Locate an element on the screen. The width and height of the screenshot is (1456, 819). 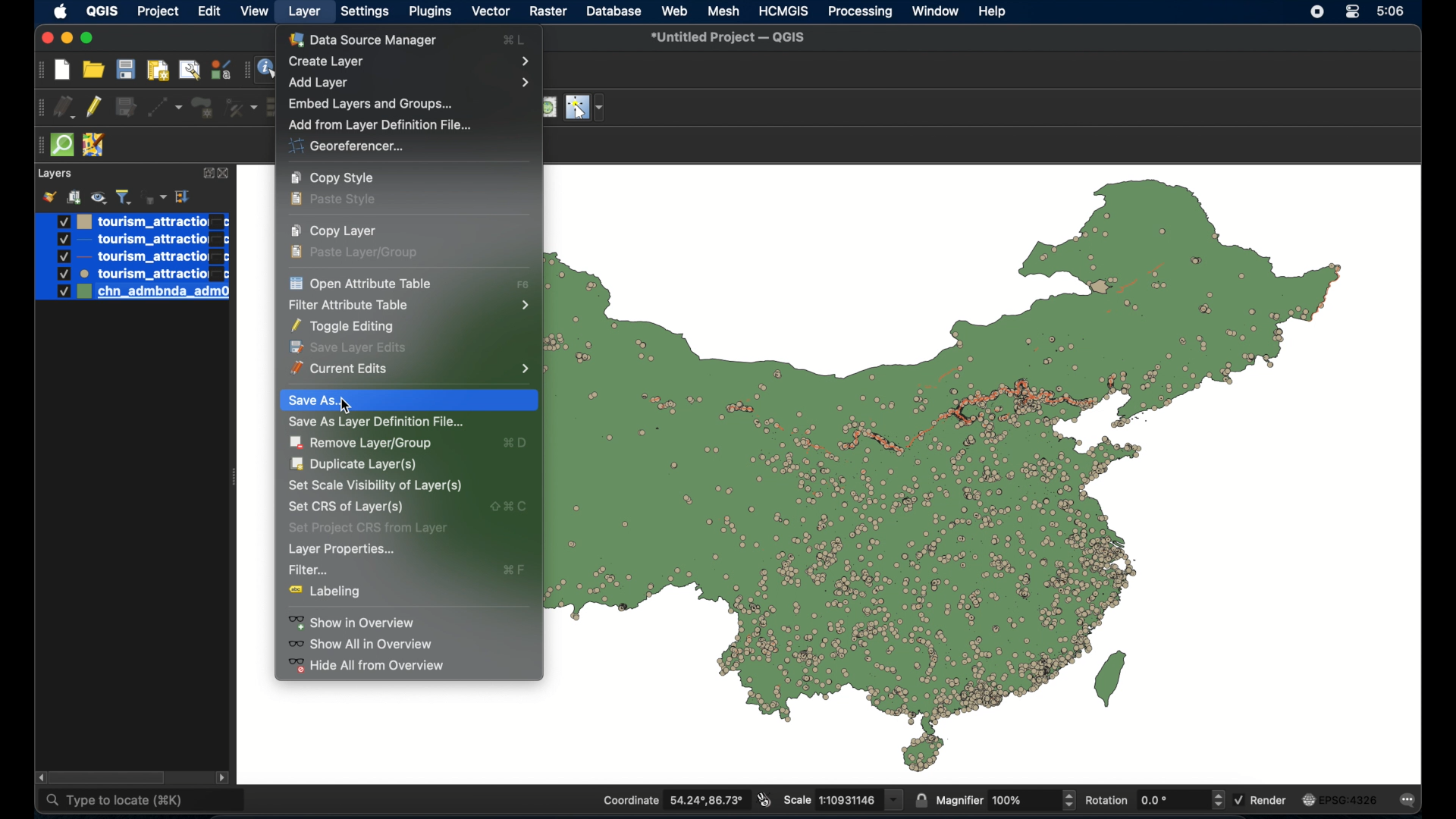
create layer menu is located at coordinates (409, 62).